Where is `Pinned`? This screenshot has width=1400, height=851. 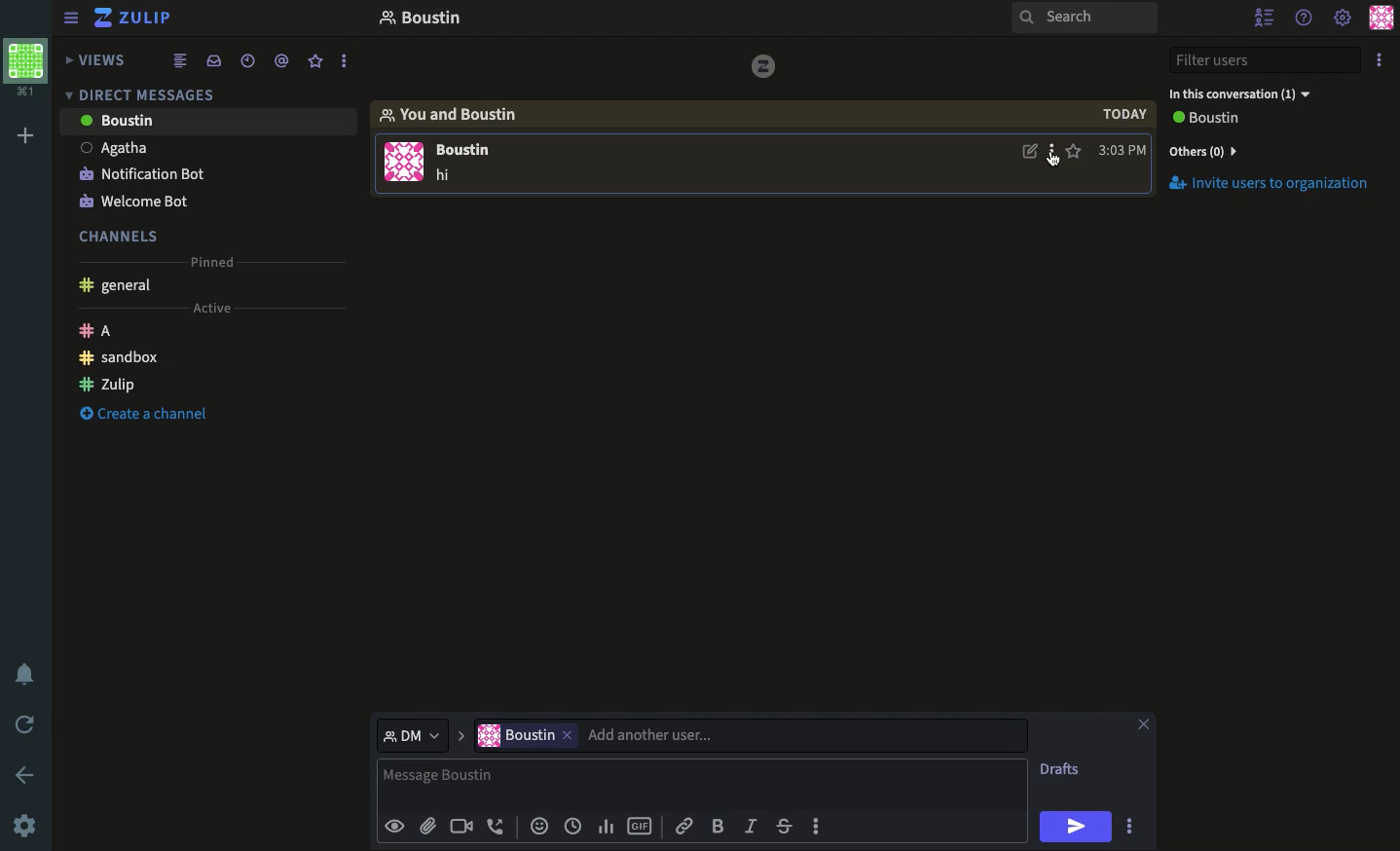 Pinned is located at coordinates (215, 261).